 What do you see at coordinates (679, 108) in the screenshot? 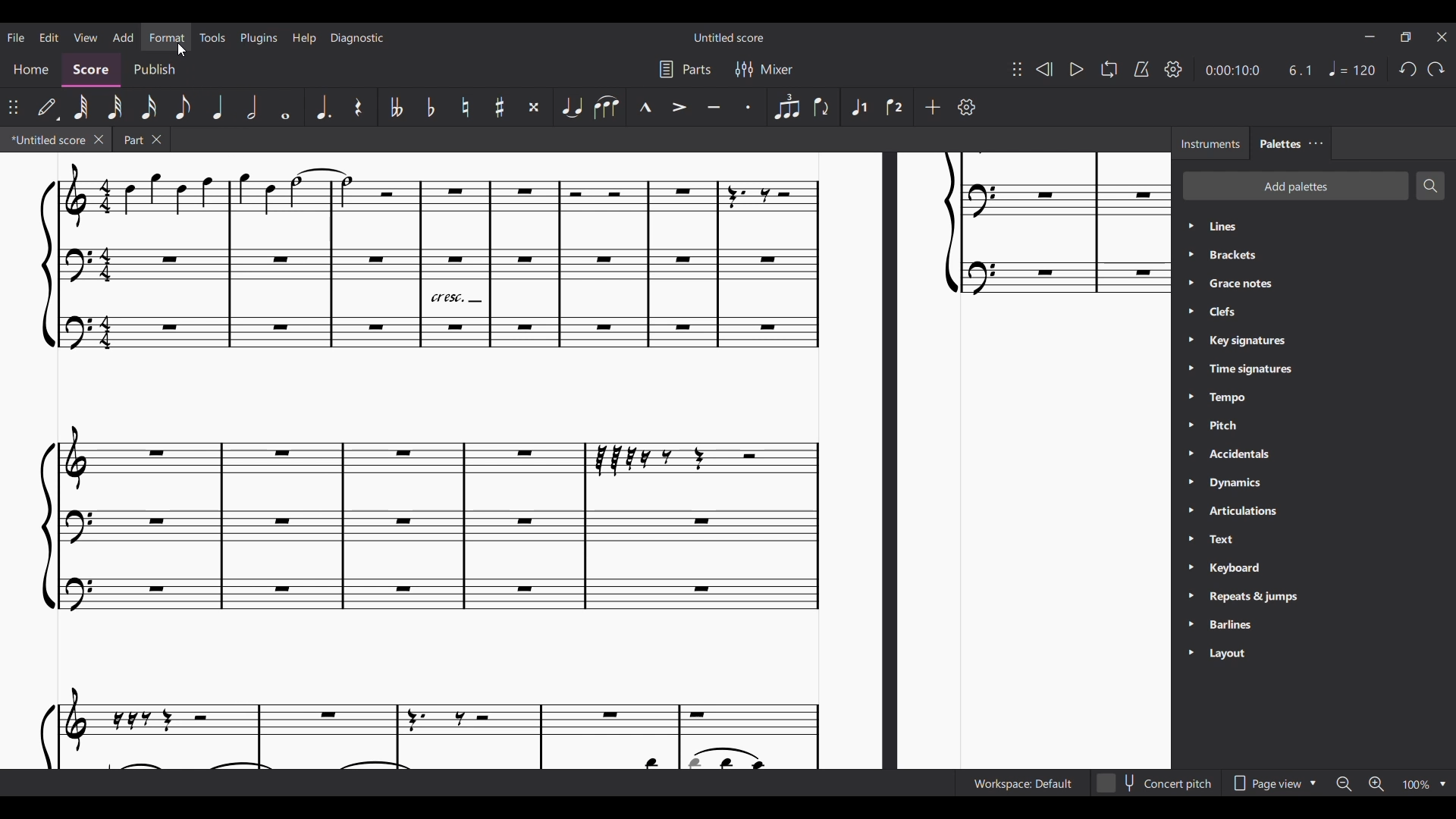
I see `Accent` at bounding box center [679, 108].